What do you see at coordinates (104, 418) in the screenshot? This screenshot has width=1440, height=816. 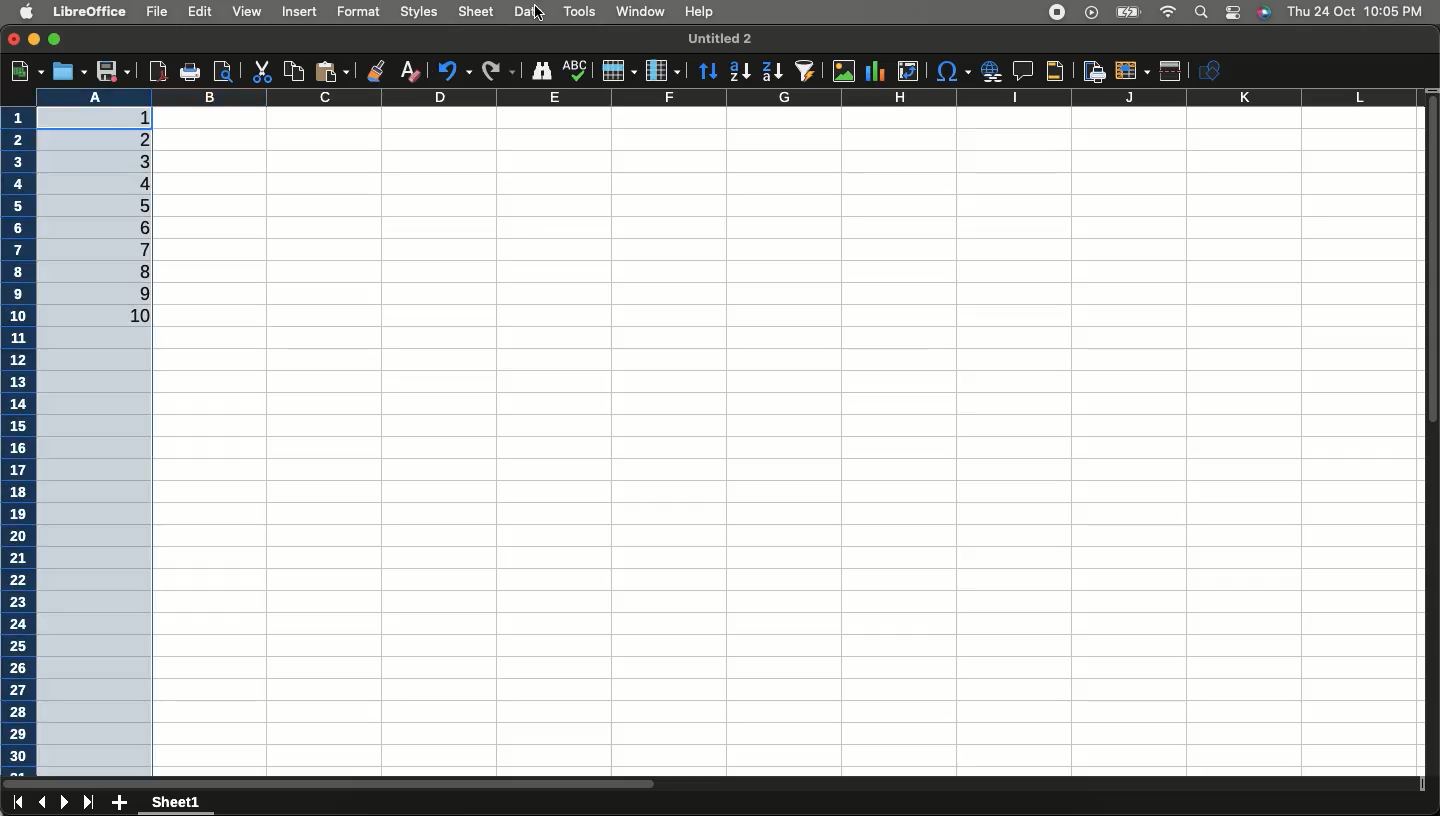 I see `Column A selected` at bounding box center [104, 418].